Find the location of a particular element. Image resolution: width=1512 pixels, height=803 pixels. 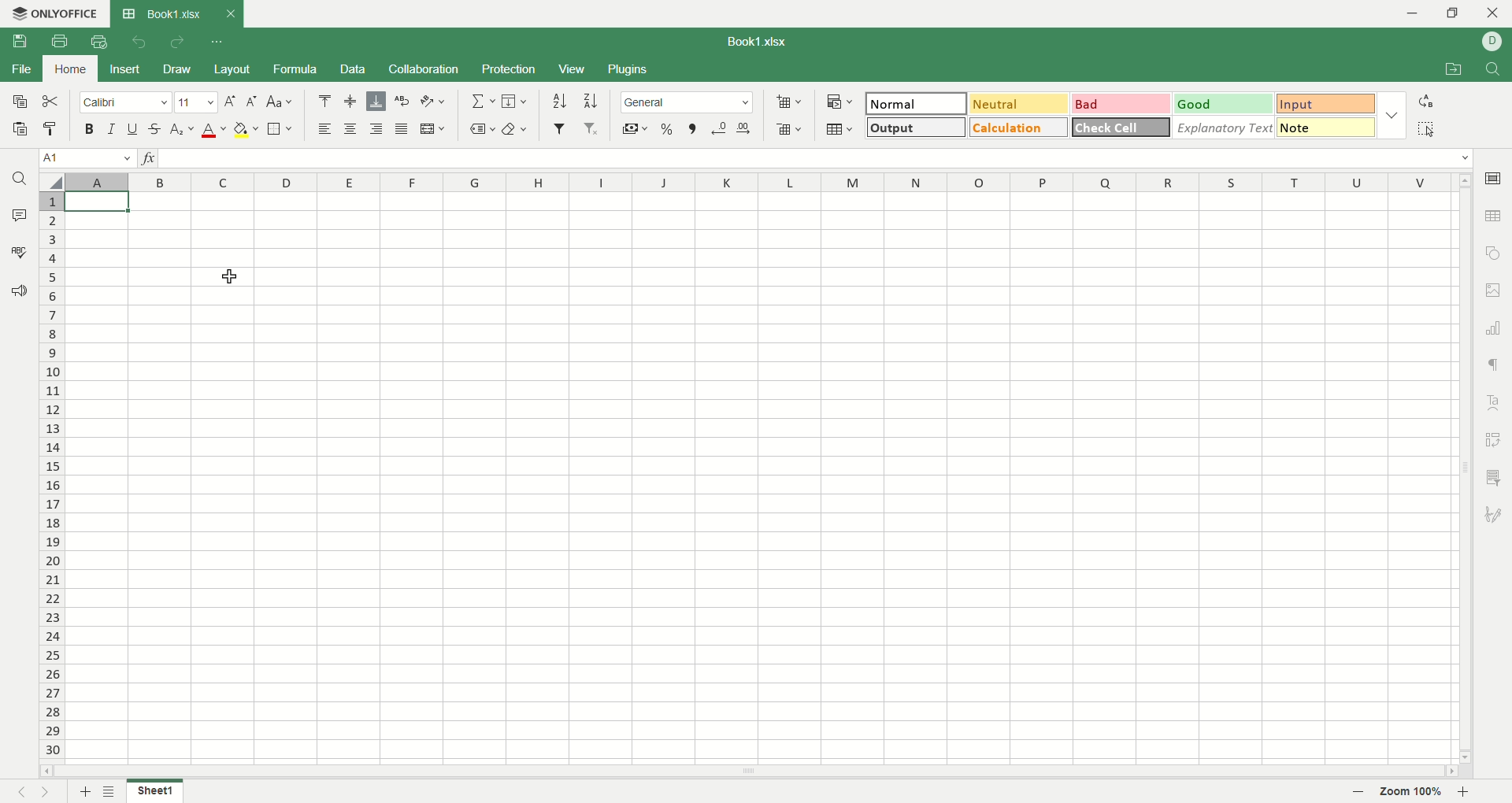

named ranges is located at coordinates (482, 128).